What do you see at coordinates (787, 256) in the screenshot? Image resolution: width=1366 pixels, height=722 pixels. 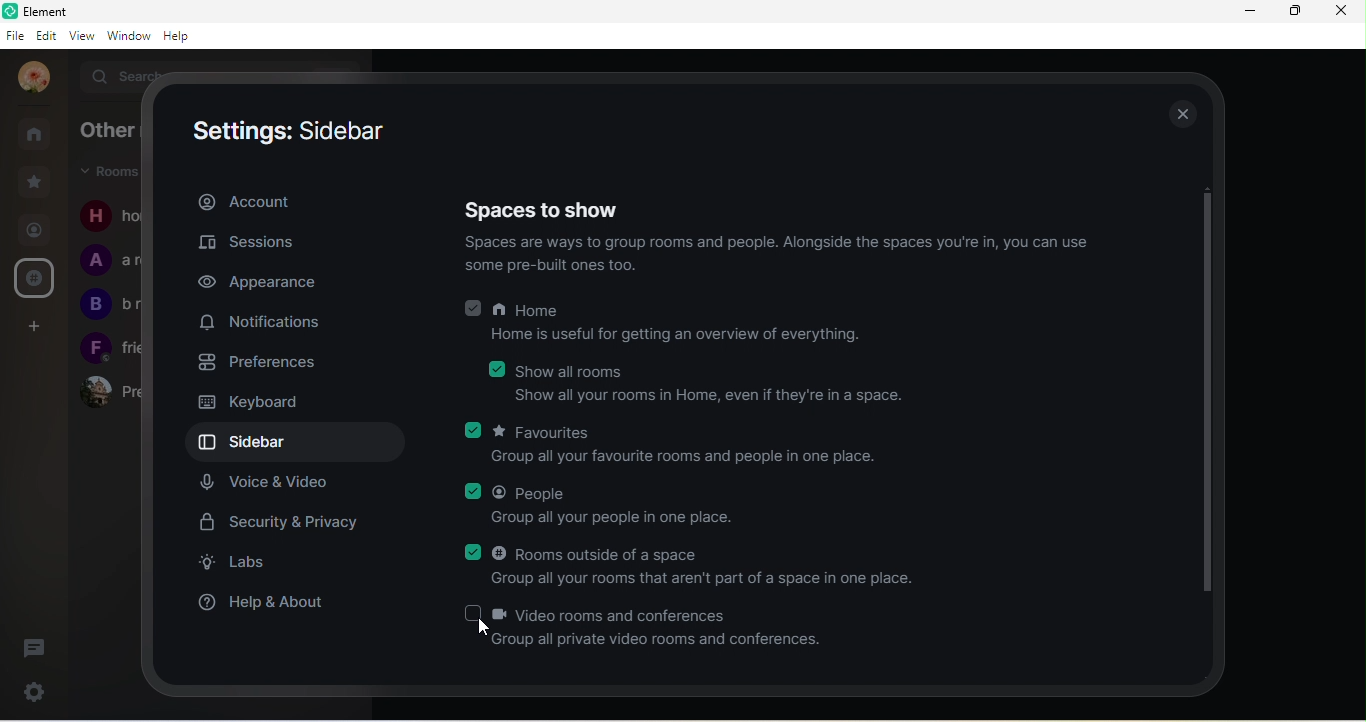 I see `spaces are ways to group rooms and people. along side spaces you are in, you can use some pre built spaces` at bounding box center [787, 256].